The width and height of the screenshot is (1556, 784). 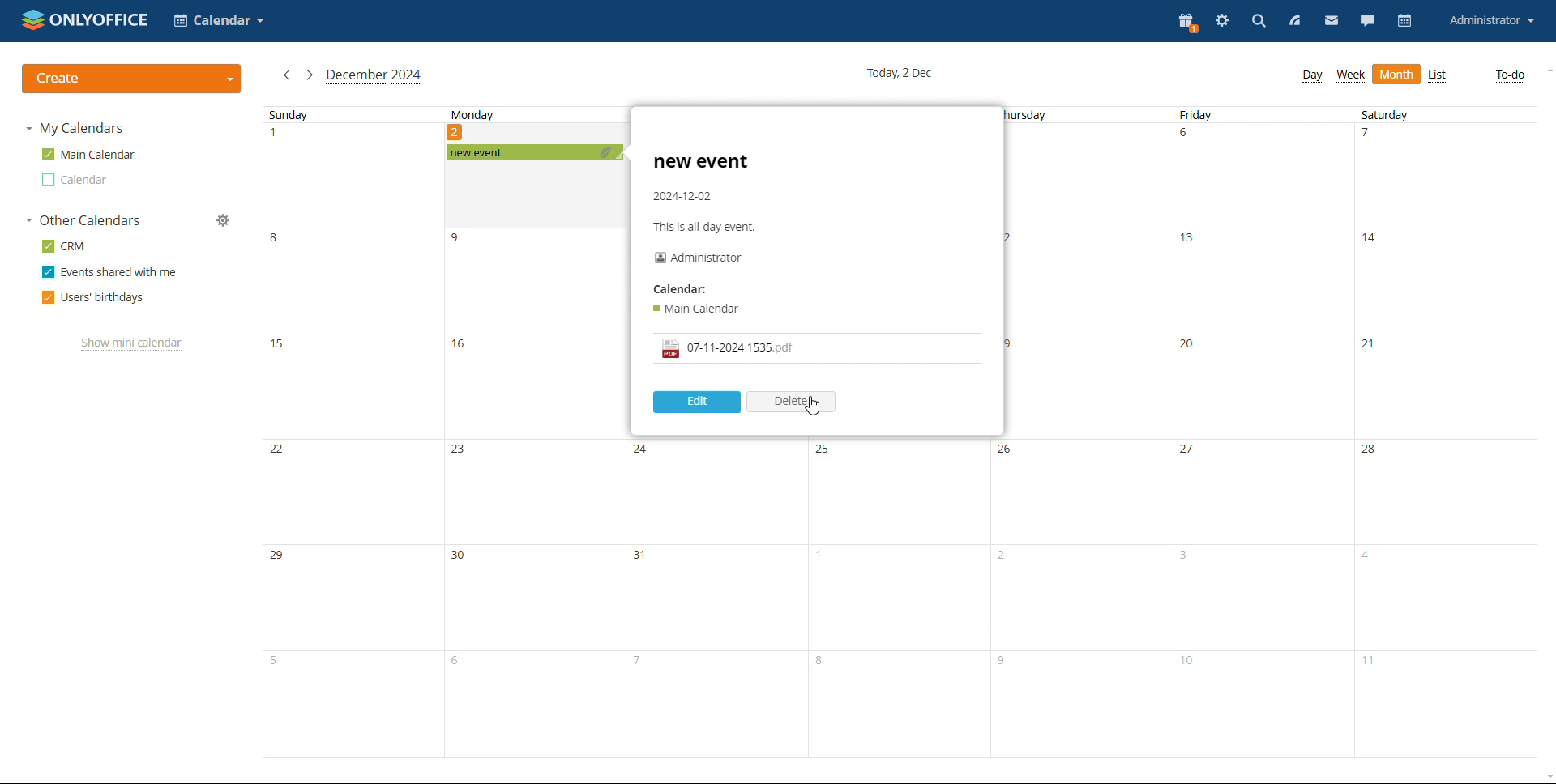 I want to click on Administrator, so click(x=699, y=257).